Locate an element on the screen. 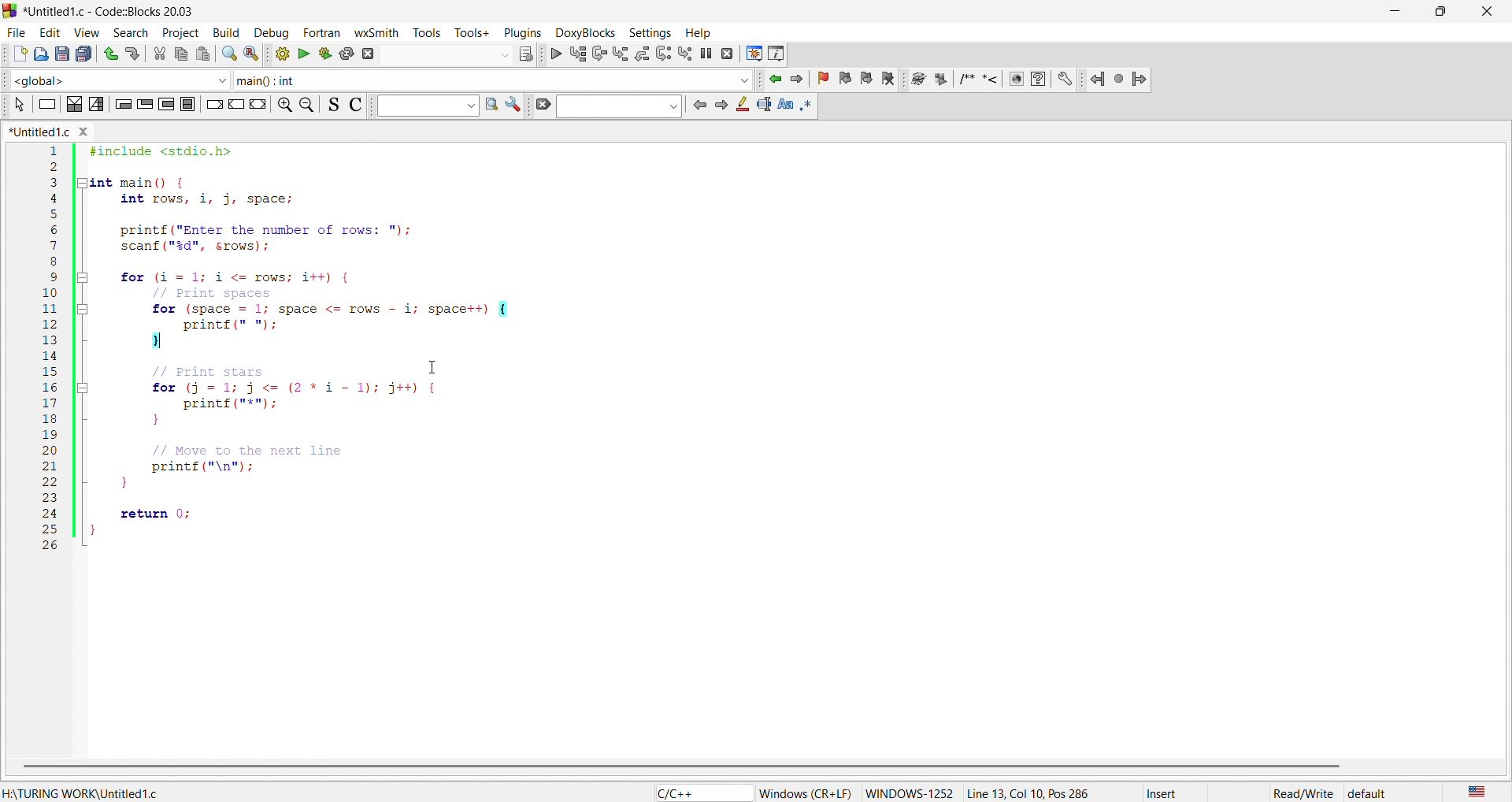 The height and width of the screenshot is (802, 1512). jump back is located at coordinates (1097, 80).